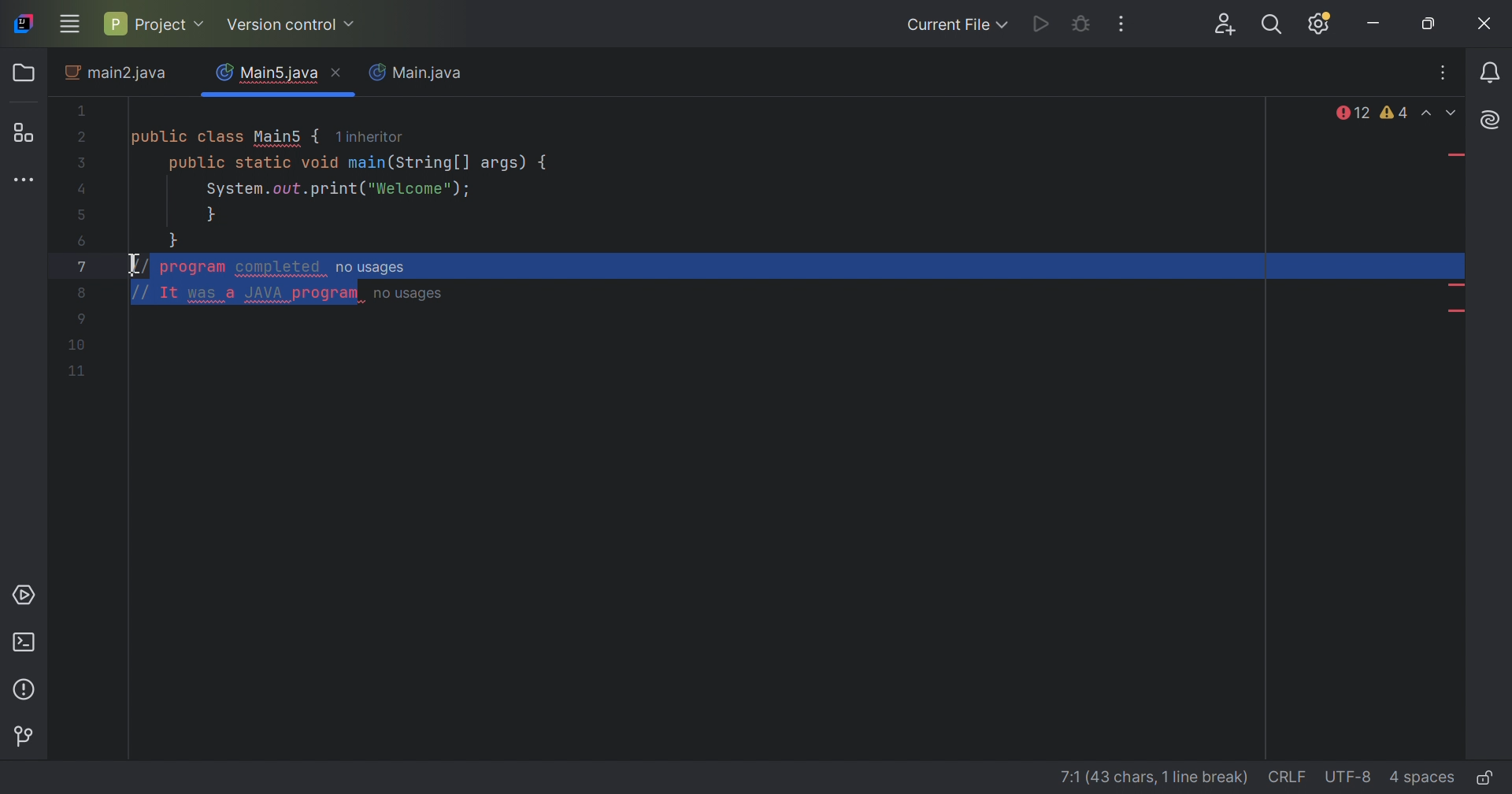  What do you see at coordinates (1454, 117) in the screenshot?
I see `Down arrow` at bounding box center [1454, 117].